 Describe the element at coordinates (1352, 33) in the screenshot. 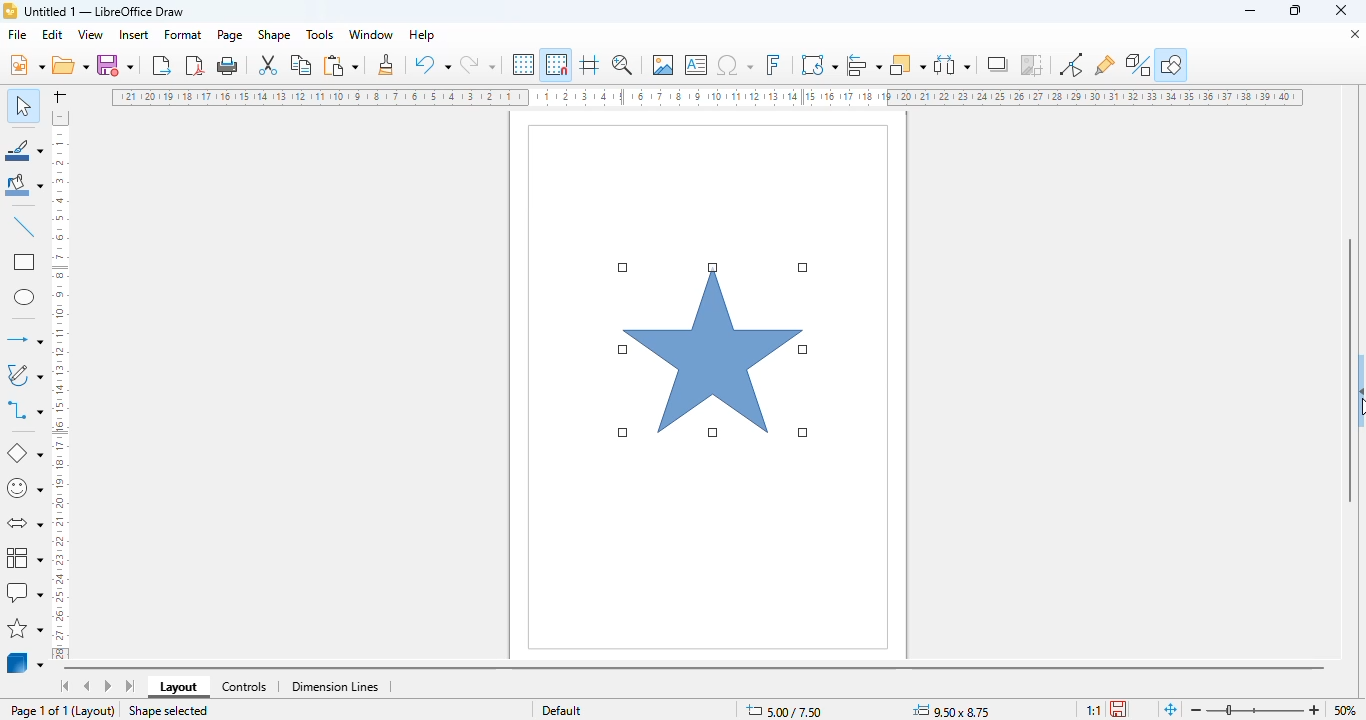

I see `close document` at that location.